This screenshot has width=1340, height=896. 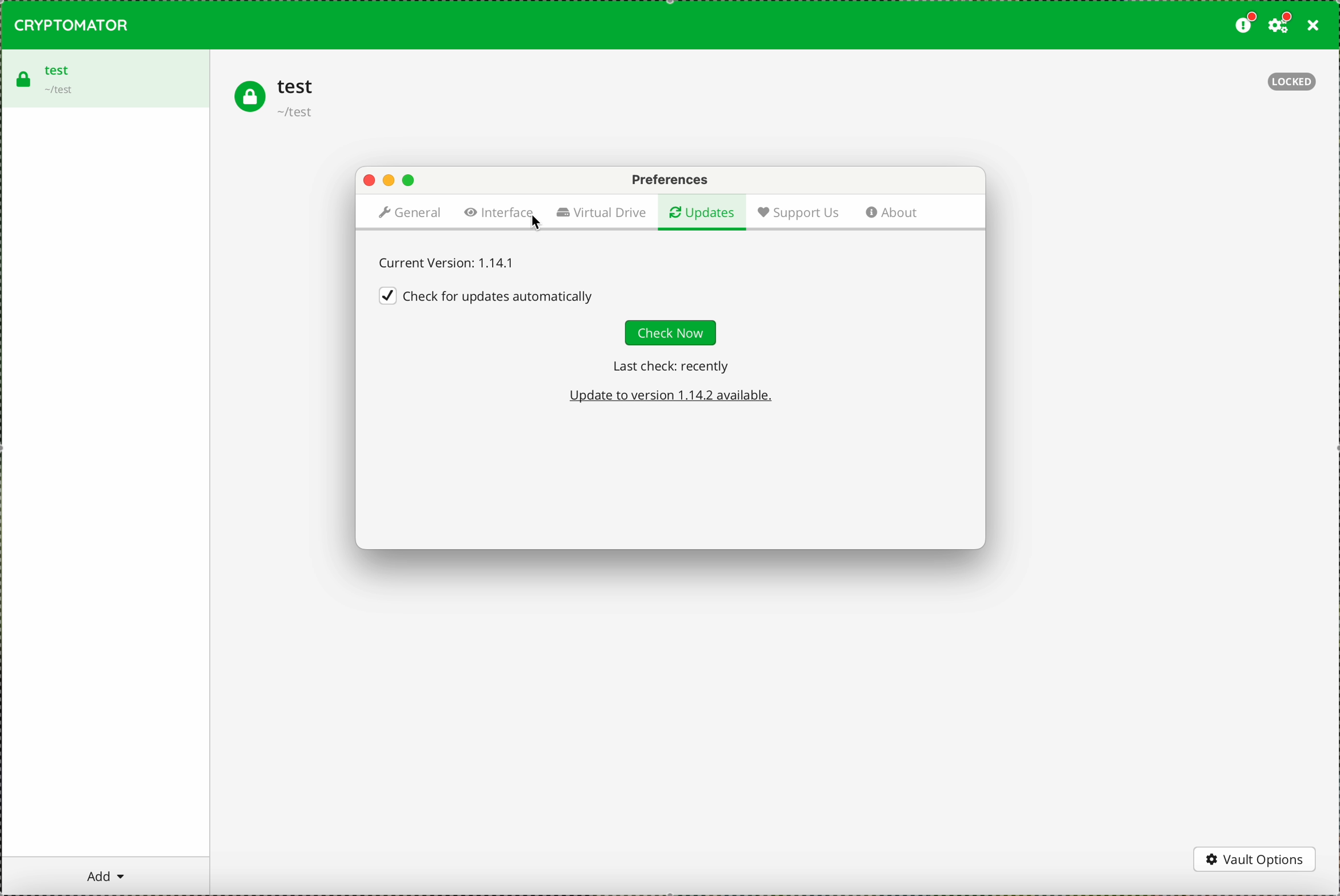 I want to click on close program, so click(x=1311, y=27).